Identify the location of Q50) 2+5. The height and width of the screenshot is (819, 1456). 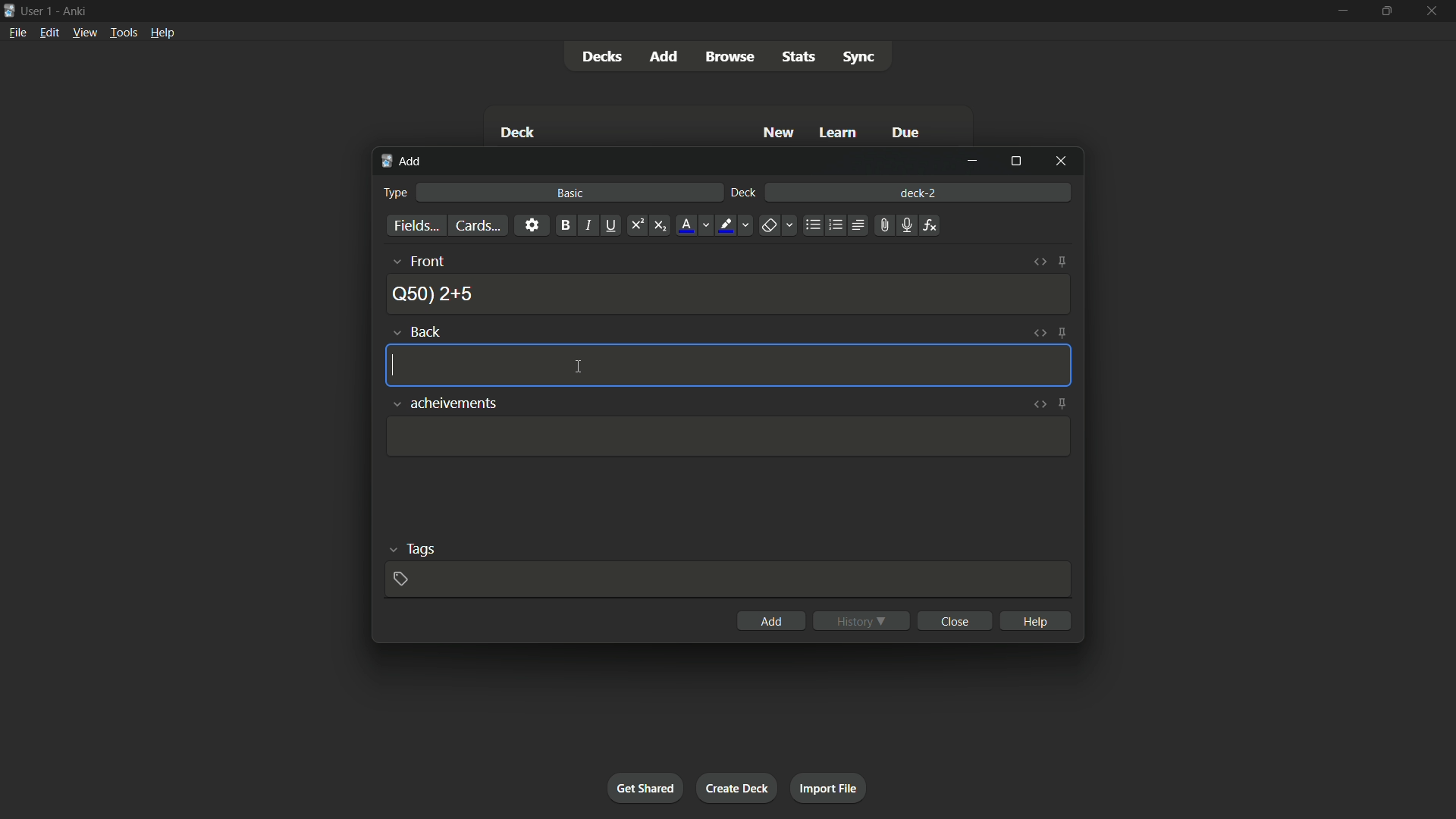
(434, 293).